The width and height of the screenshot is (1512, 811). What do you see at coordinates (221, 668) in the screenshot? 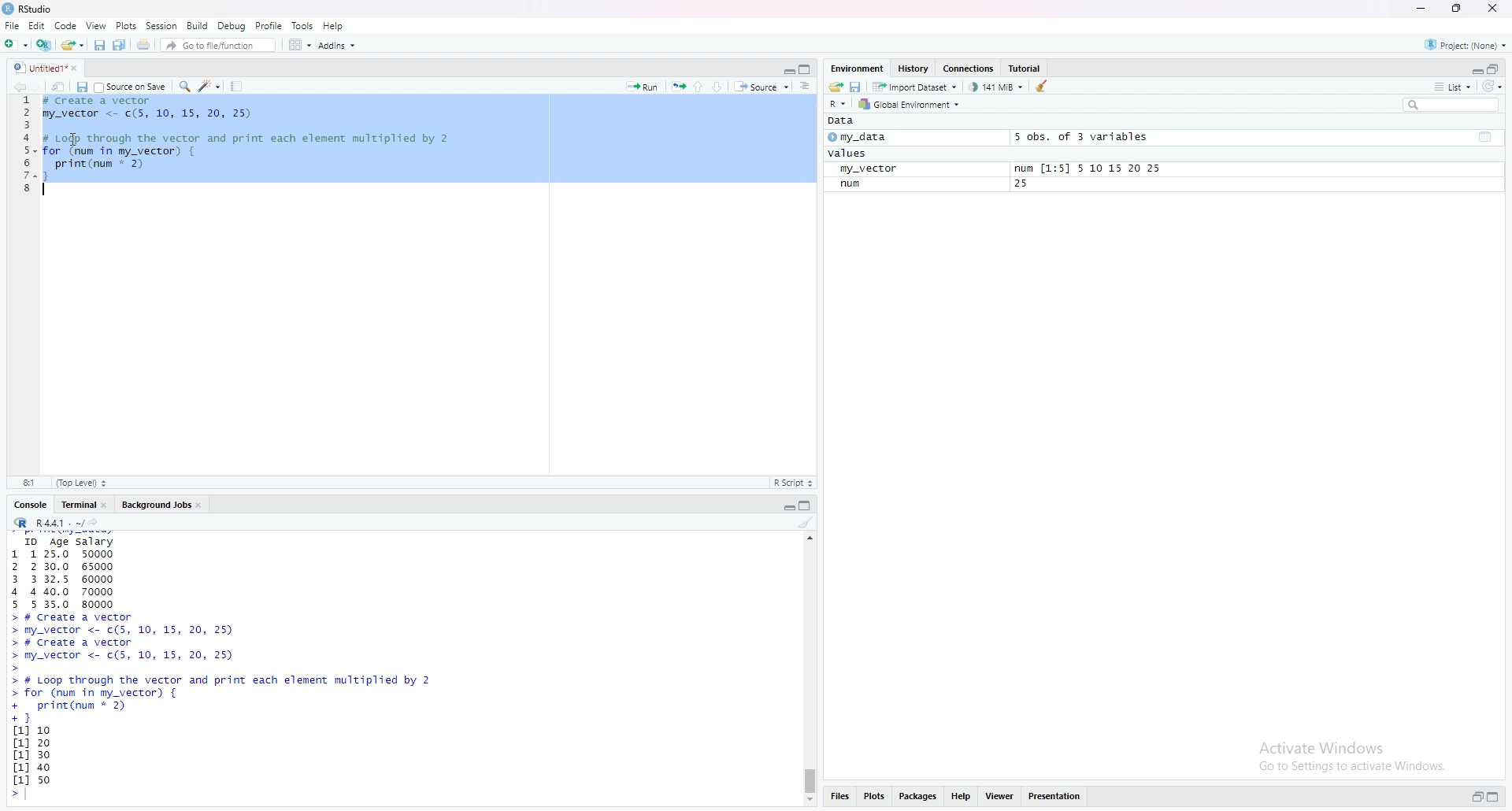
I see `data frame set` at bounding box center [221, 668].